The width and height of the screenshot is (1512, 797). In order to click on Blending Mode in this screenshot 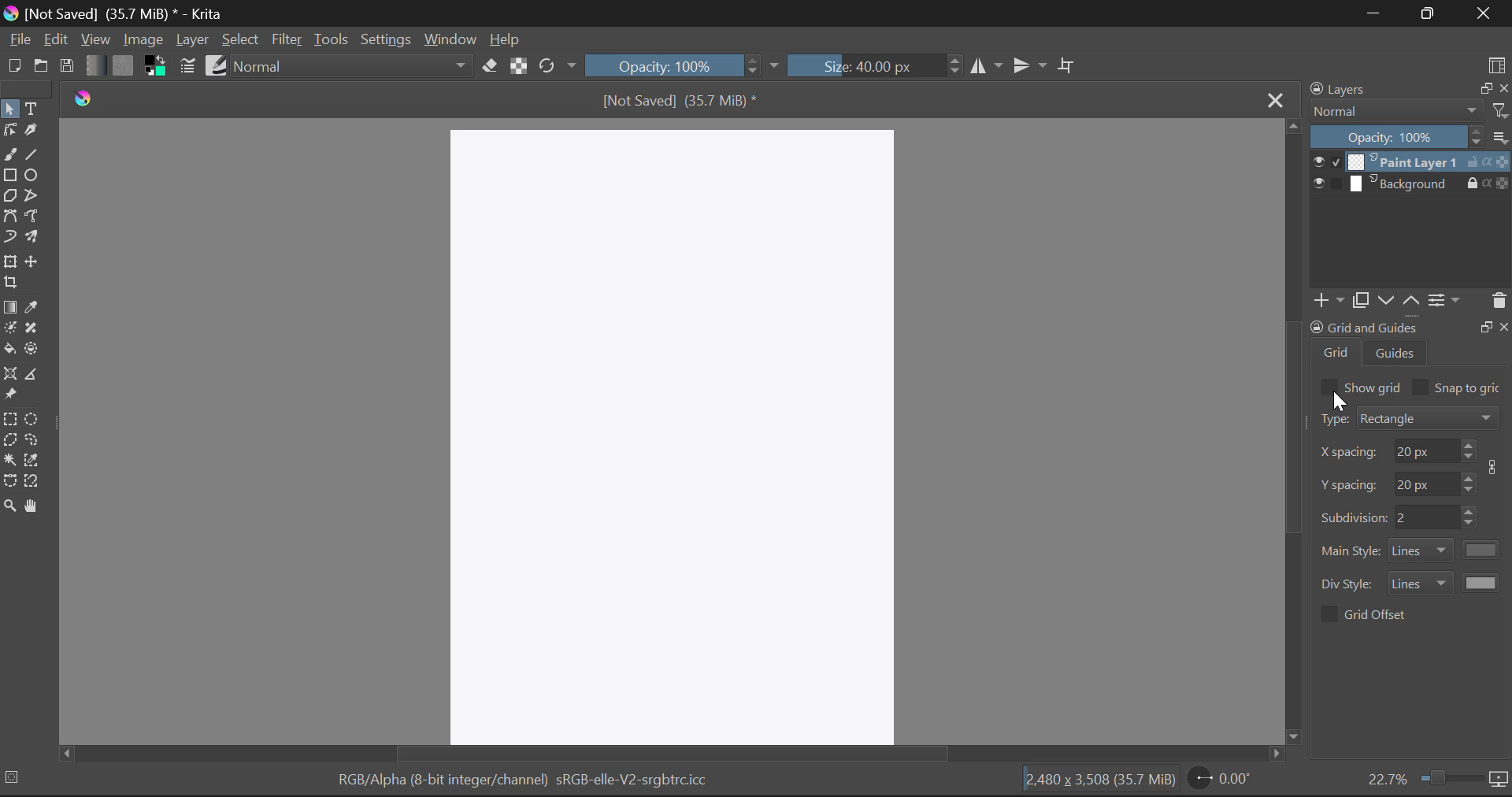, I will do `click(354, 65)`.